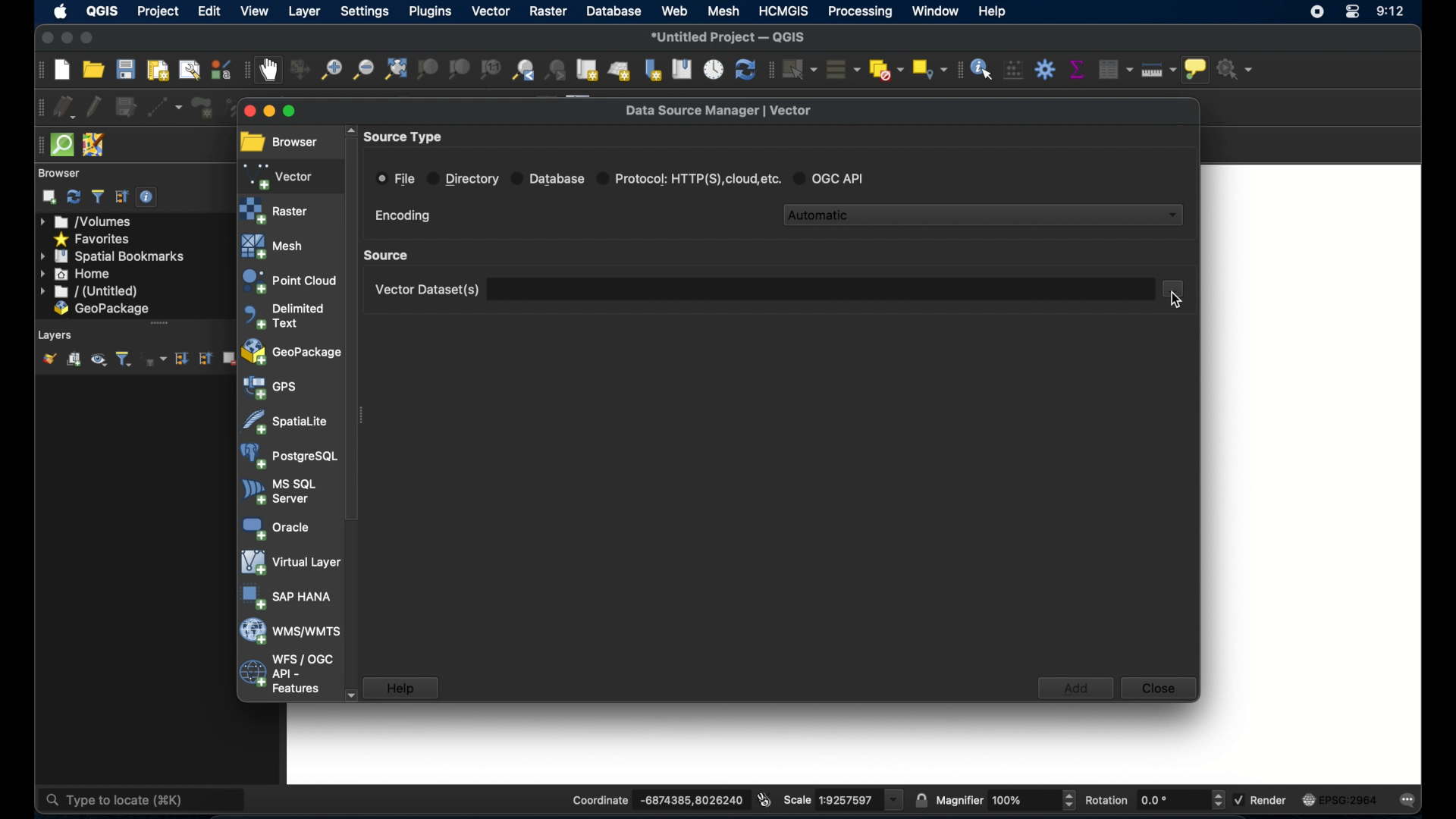  Describe the element at coordinates (287, 598) in the screenshot. I see `sap hana` at that location.